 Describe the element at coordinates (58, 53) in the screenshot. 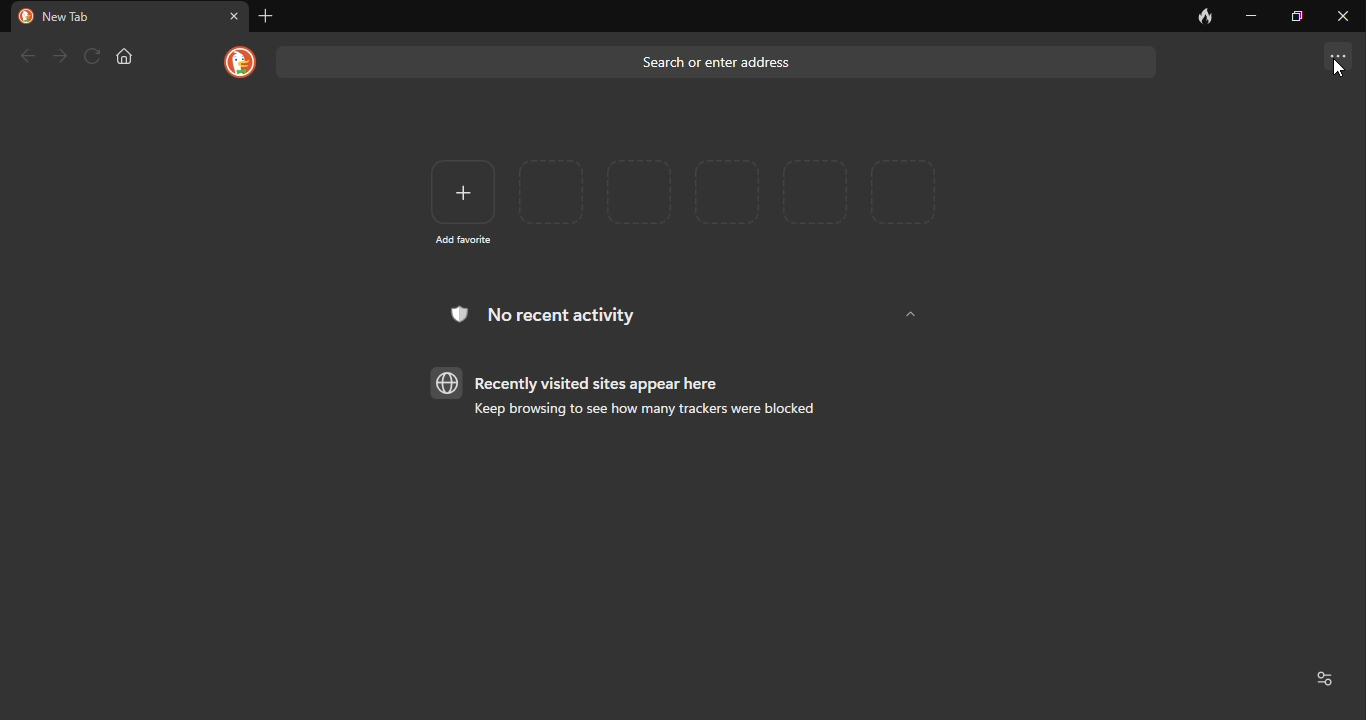

I see `forward` at that location.